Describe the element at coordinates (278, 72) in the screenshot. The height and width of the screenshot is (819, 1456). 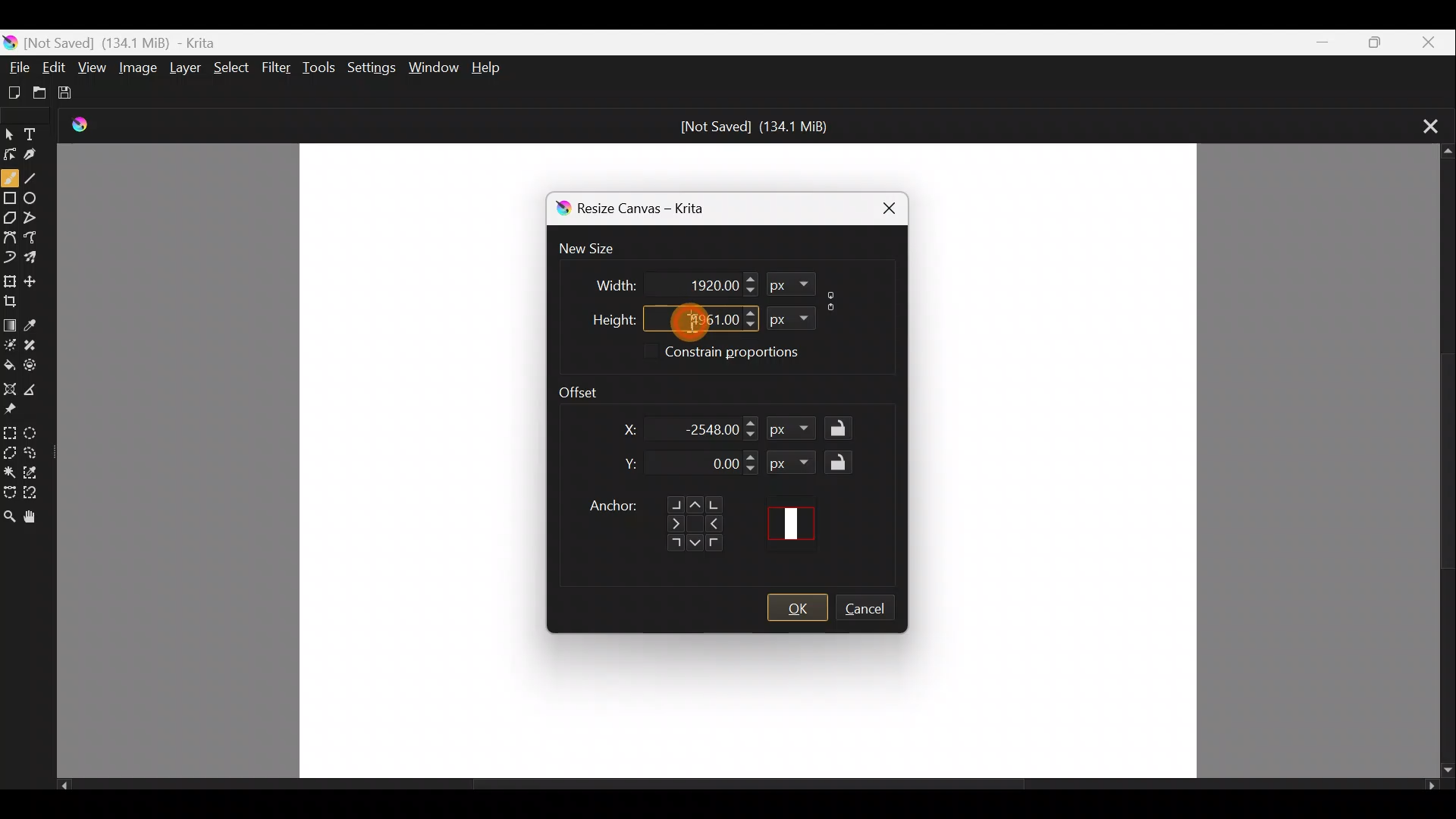
I see `Filter` at that location.